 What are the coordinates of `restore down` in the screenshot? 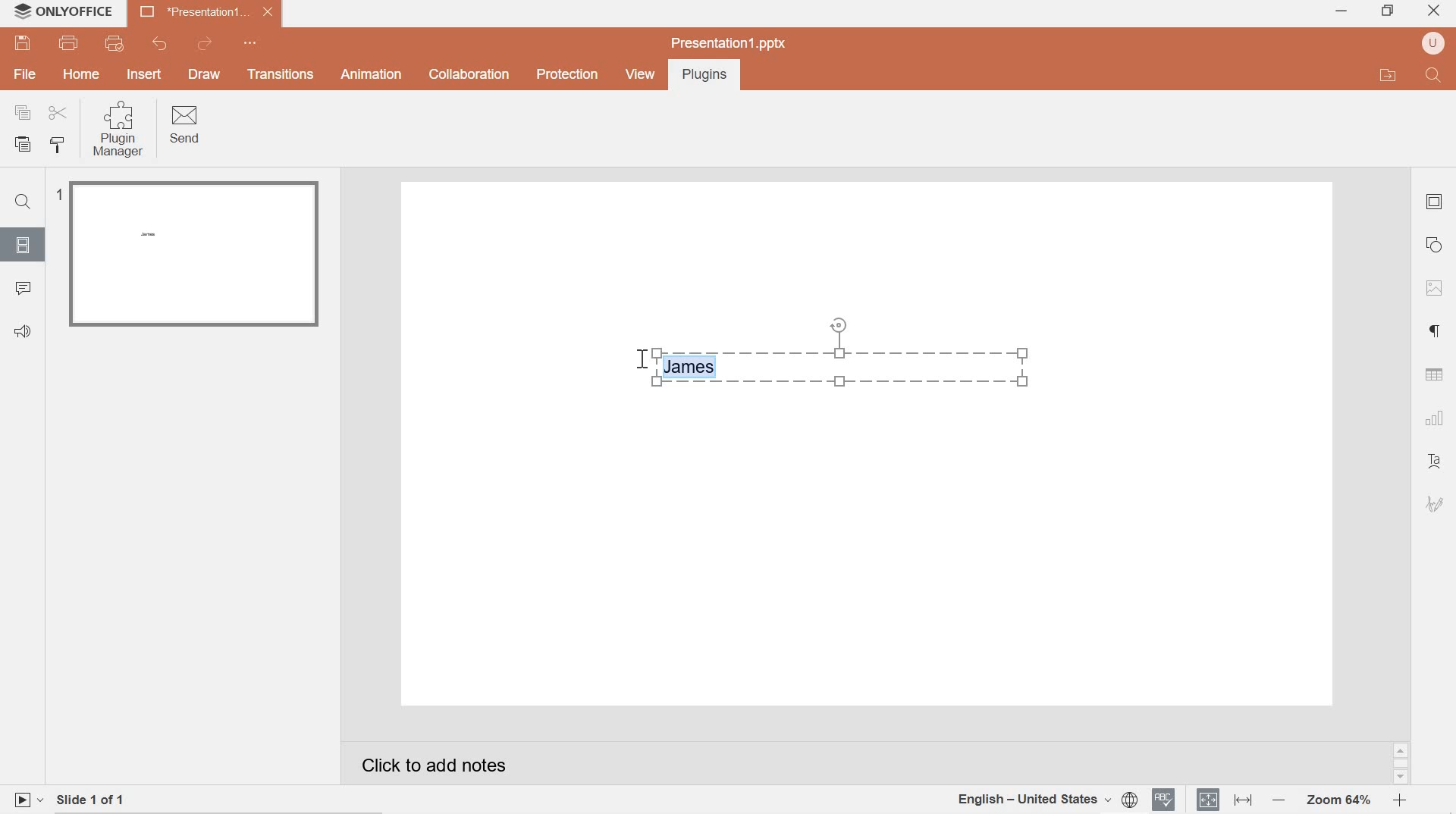 It's located at (1387, 9).